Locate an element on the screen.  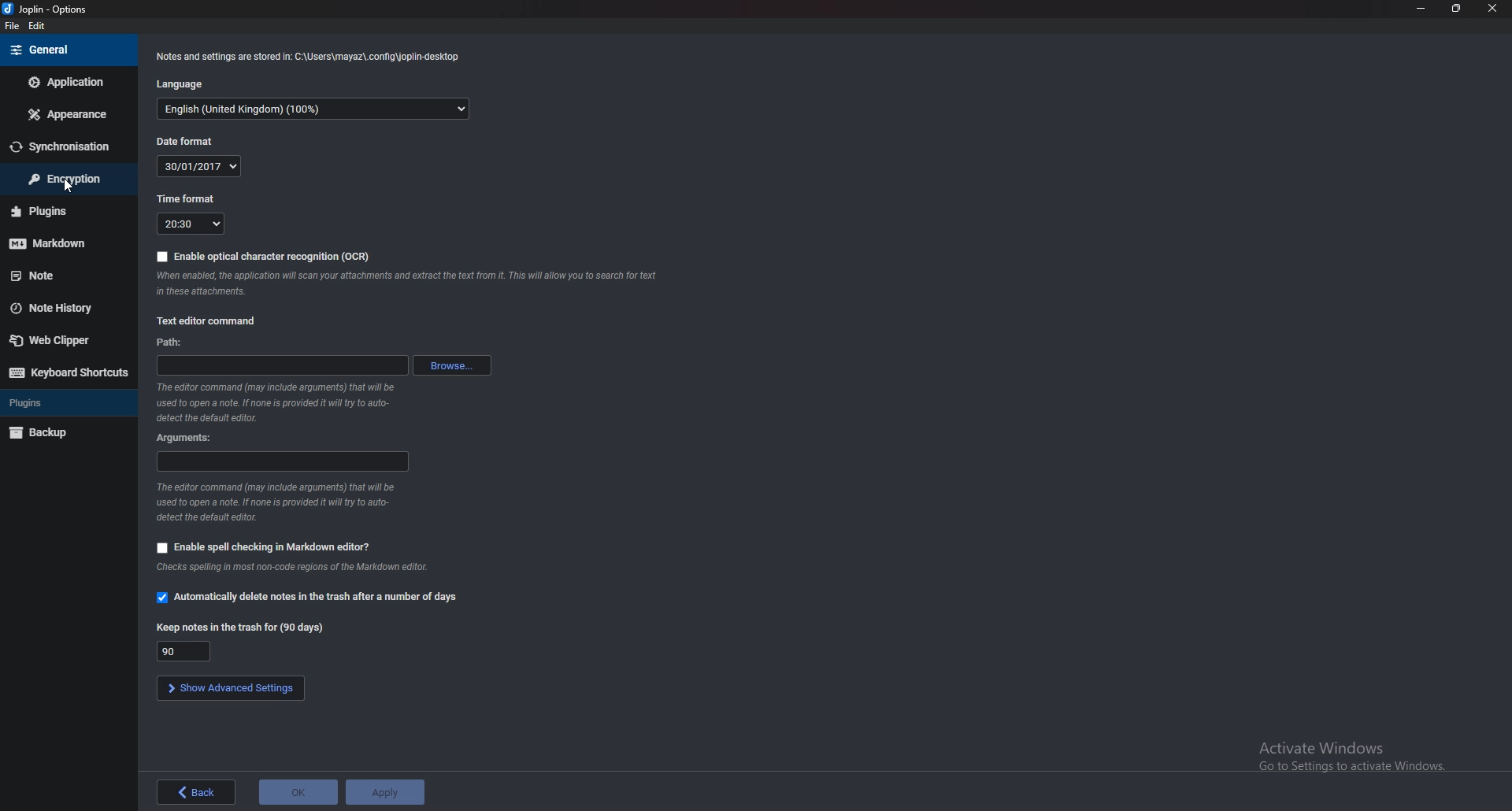
encryption is located at coordinates (60, 180).